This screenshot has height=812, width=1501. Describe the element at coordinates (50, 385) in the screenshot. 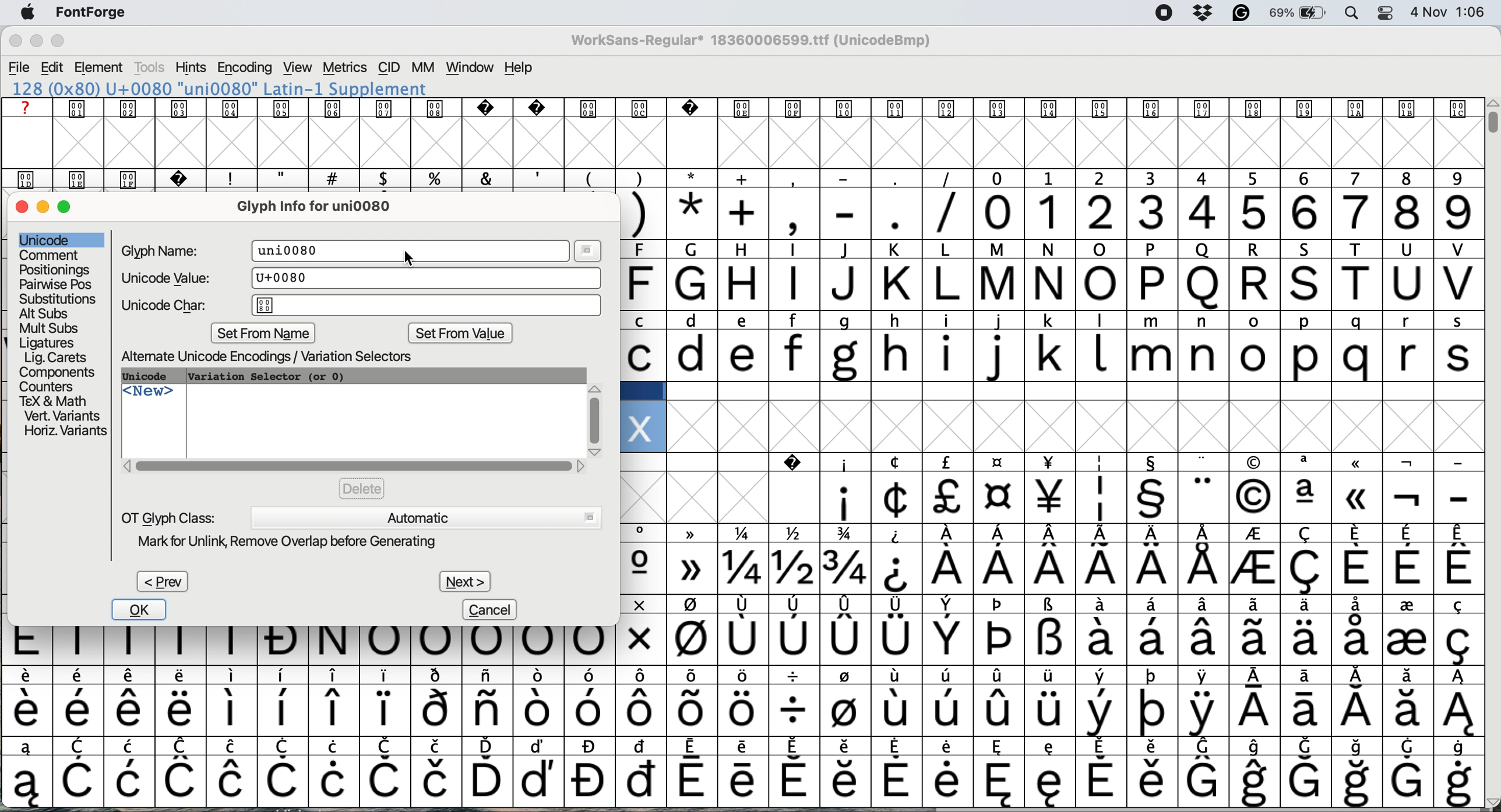

I see `counters` at that location.